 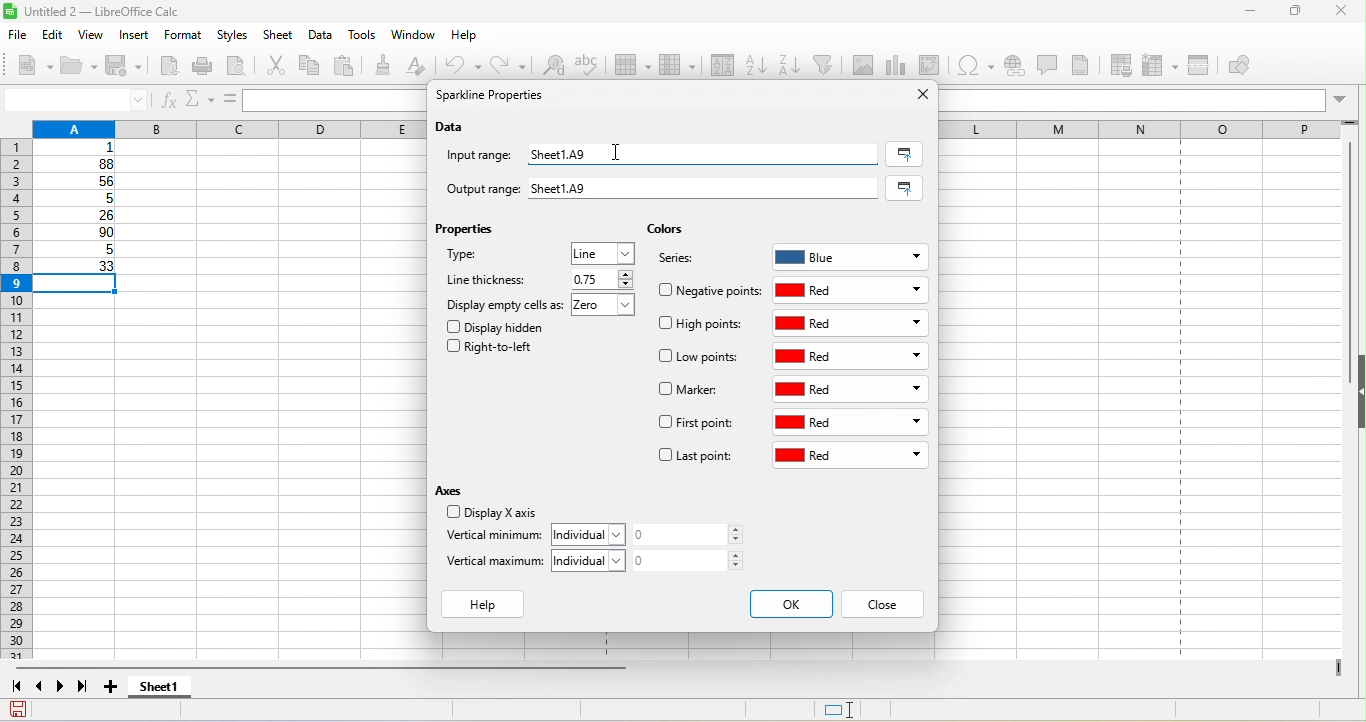 What do you see at coordinates (791, 64) in the screenshot?
I see `sort descending` at bounding box center [791, 64].